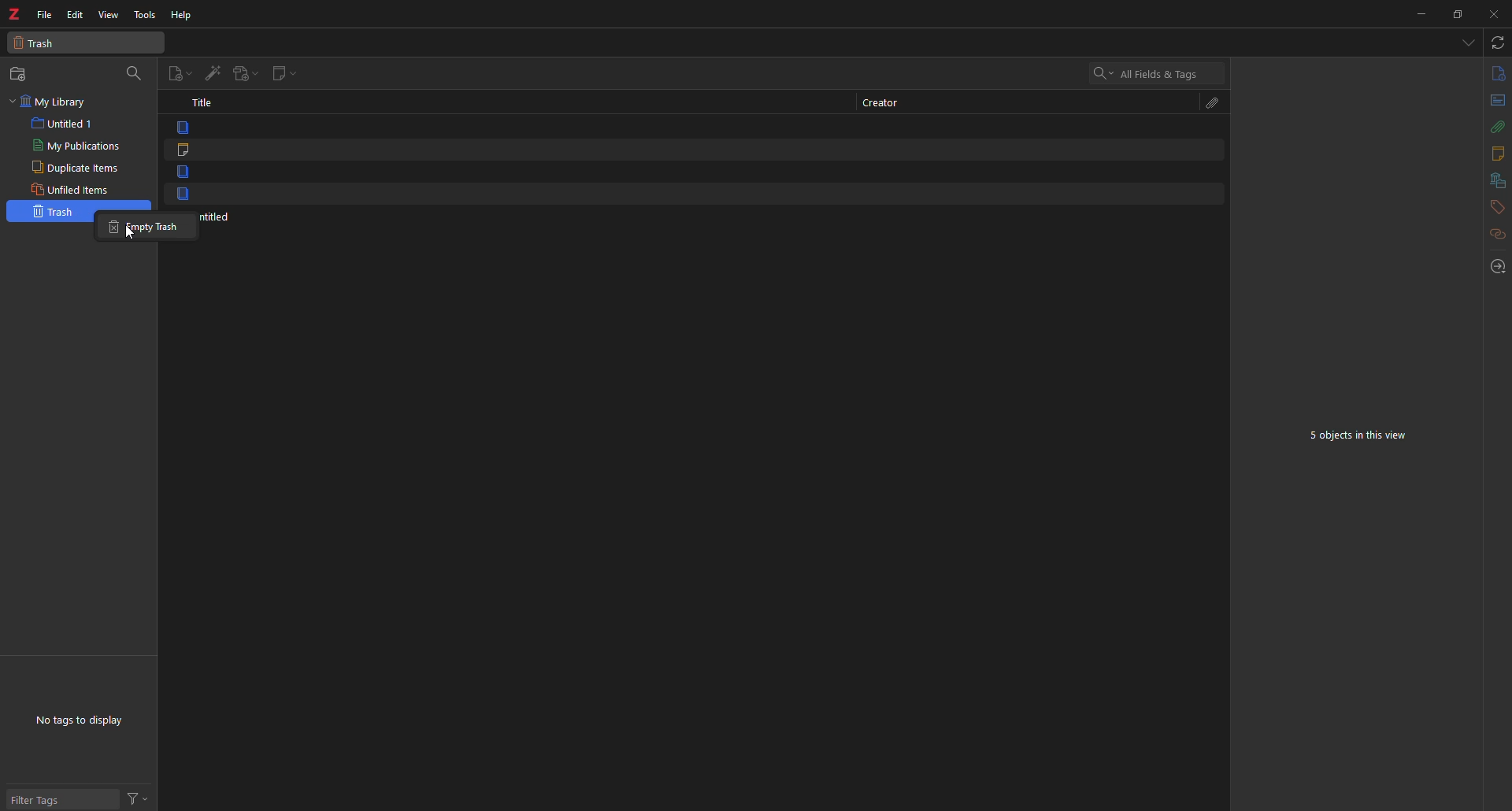 This screenshot has height=811, width=1512. Describe the element at coordinates (83, 724) in the screenshot. I see `no tags` at that location.